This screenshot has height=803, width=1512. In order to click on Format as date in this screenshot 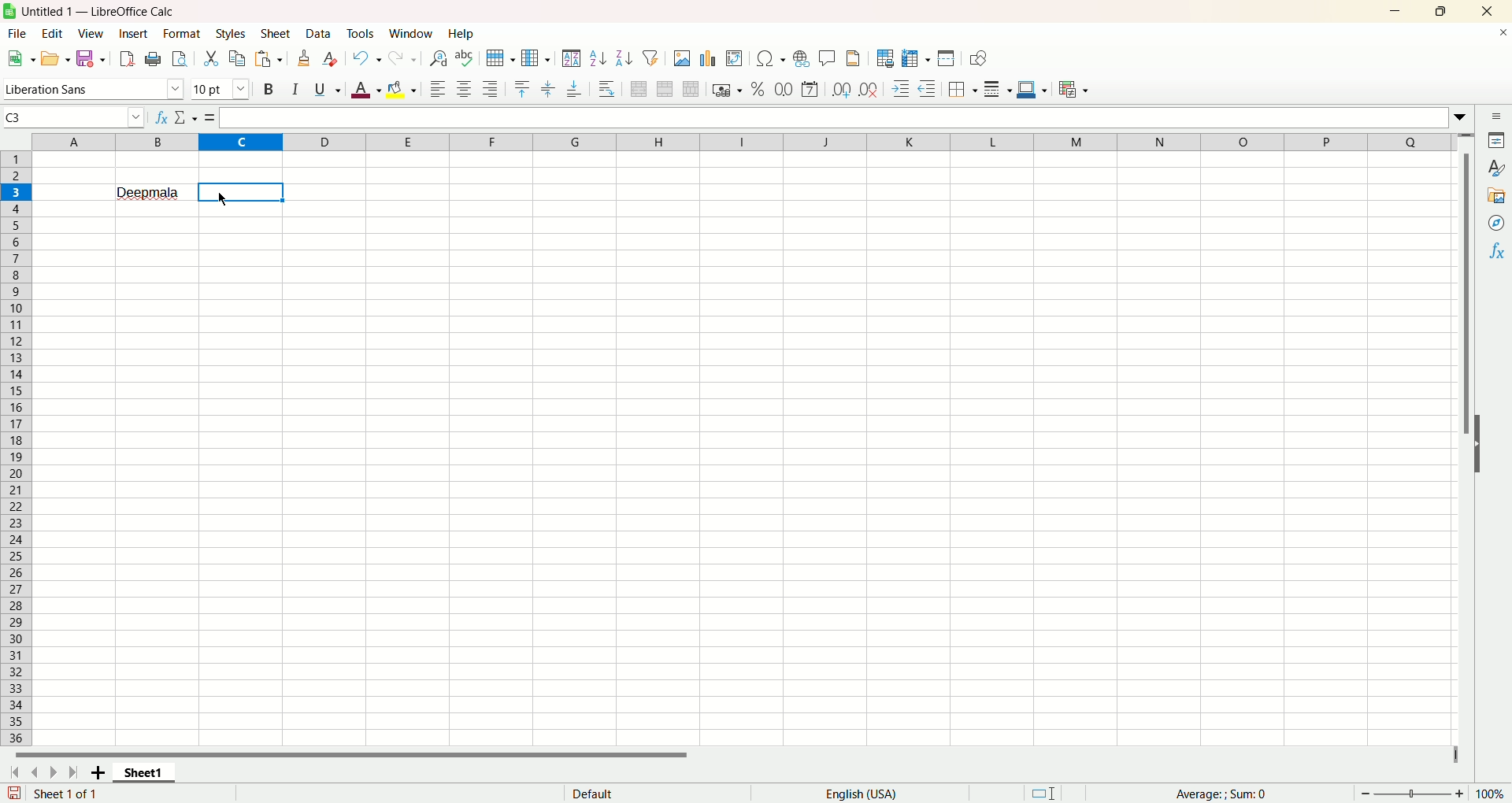, I will do `click(810, 90)`.